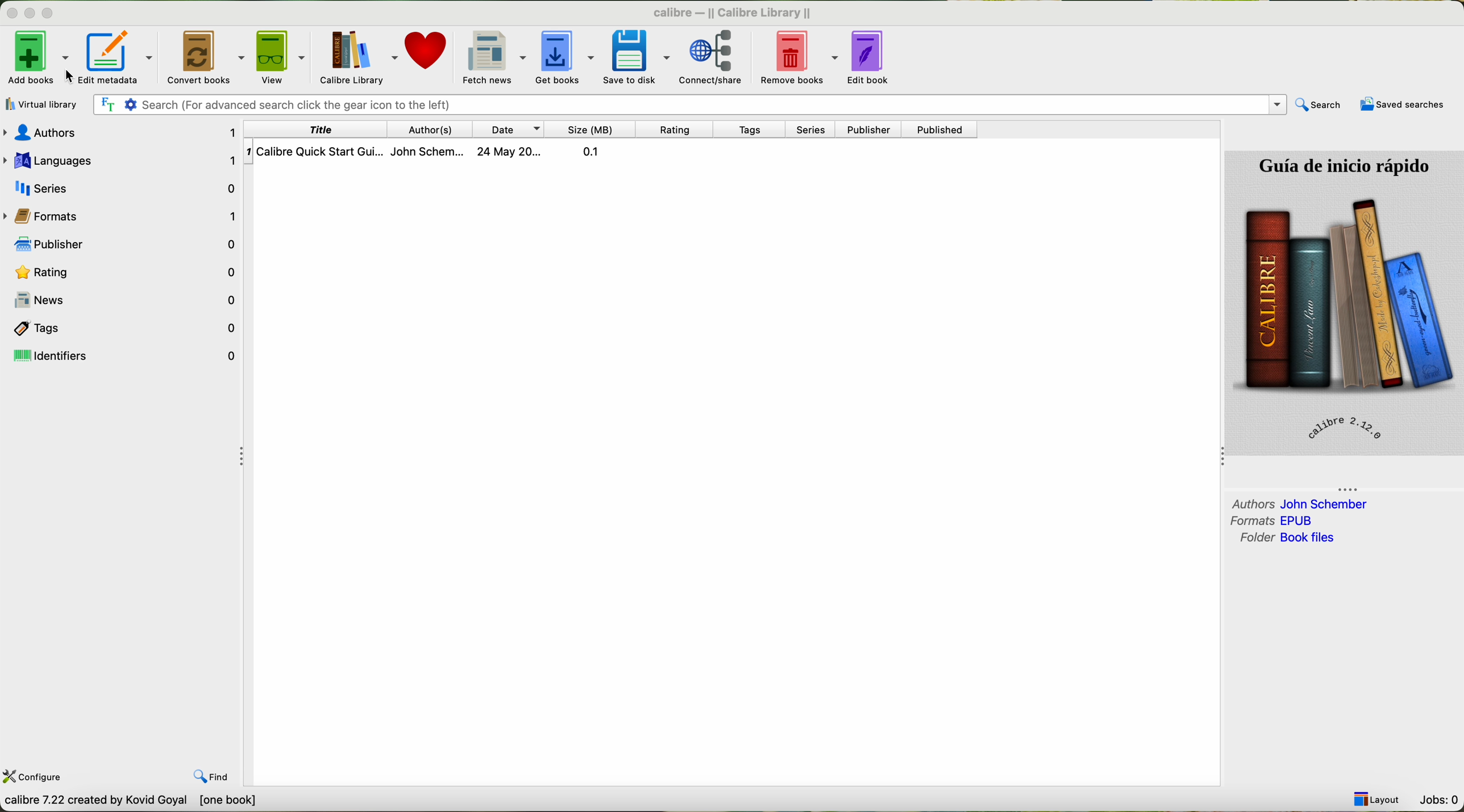 The image size is (1464, 812). I want to click on saved searches, so click(1401, 106).